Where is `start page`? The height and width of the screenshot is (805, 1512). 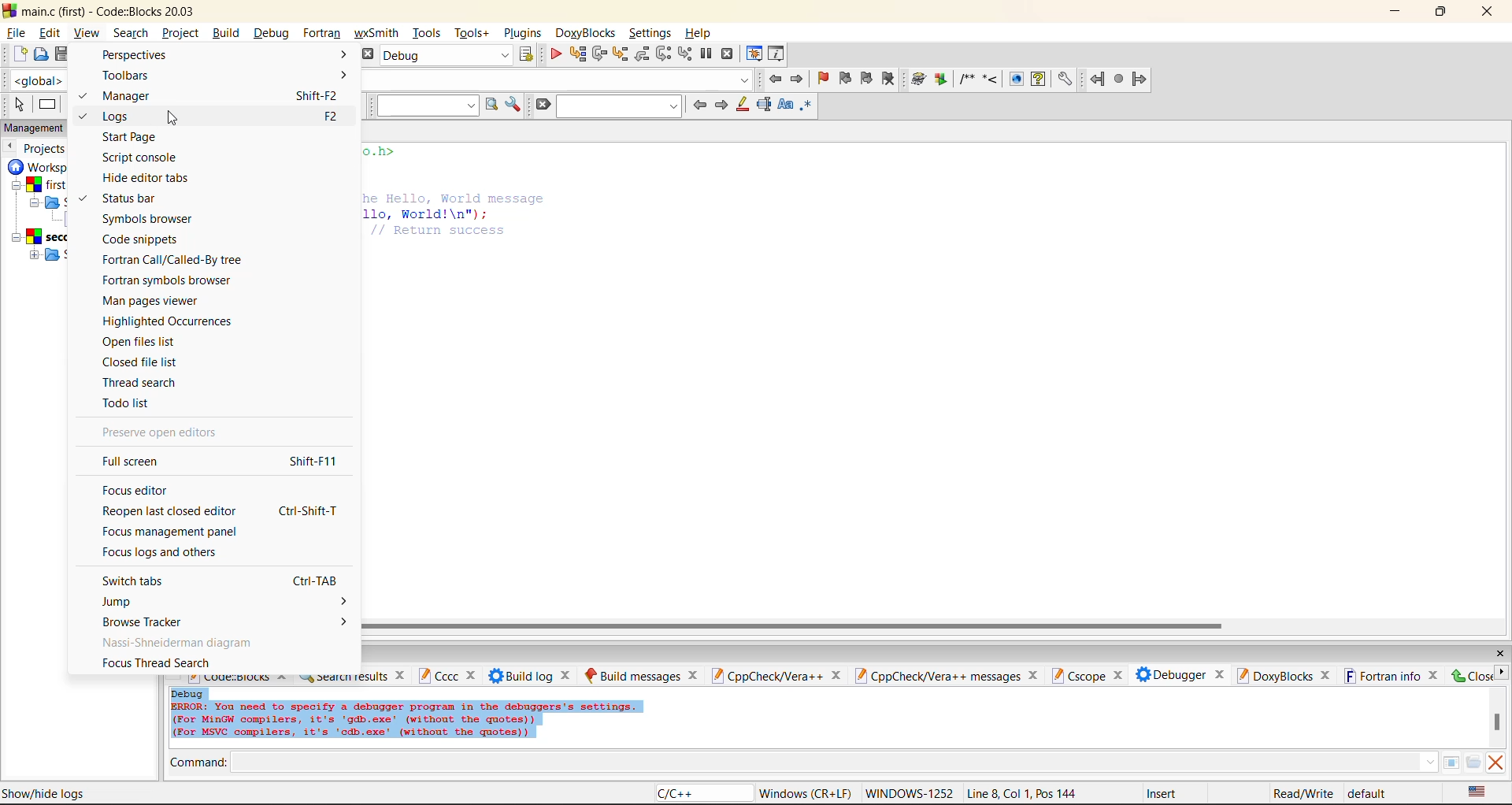
start page is located at coordinates (130, 138).